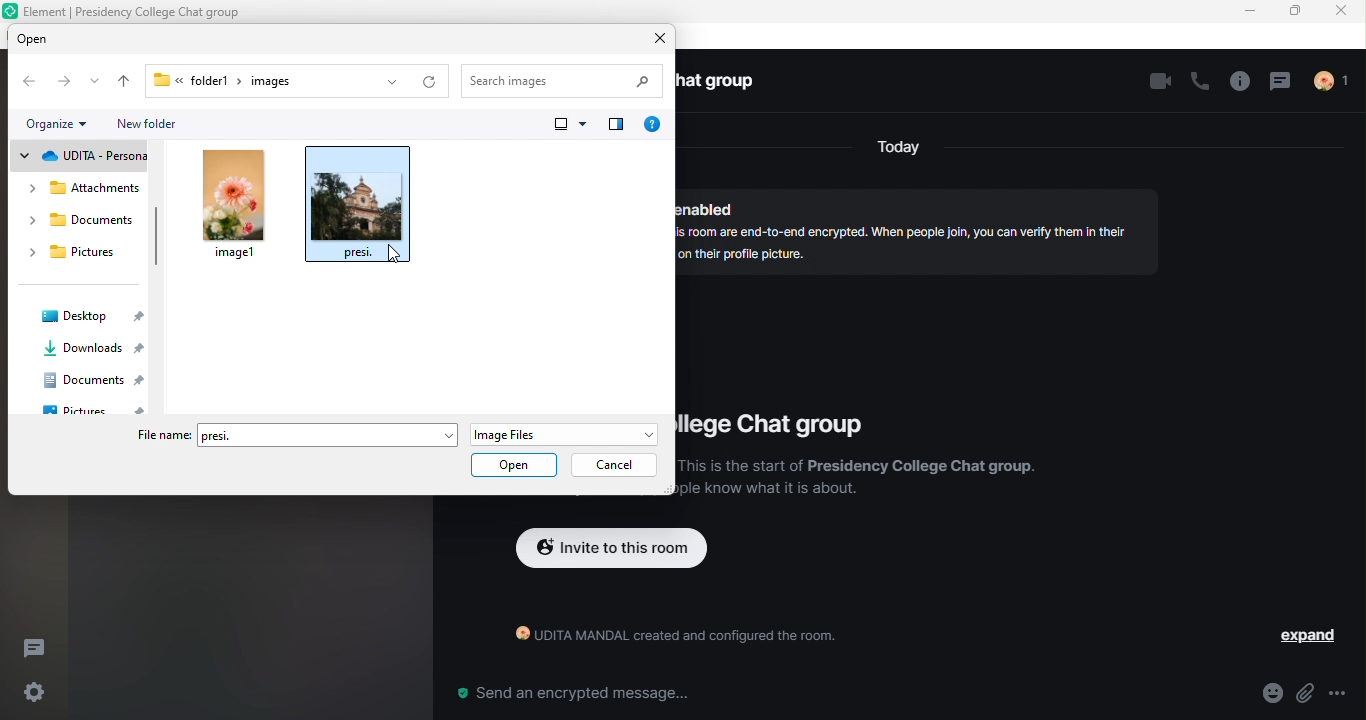 The image size is (1366, 720). What do you see at coordinates (565, 81) in the screenshot?
I see `search` at bounding box center [565, 81].